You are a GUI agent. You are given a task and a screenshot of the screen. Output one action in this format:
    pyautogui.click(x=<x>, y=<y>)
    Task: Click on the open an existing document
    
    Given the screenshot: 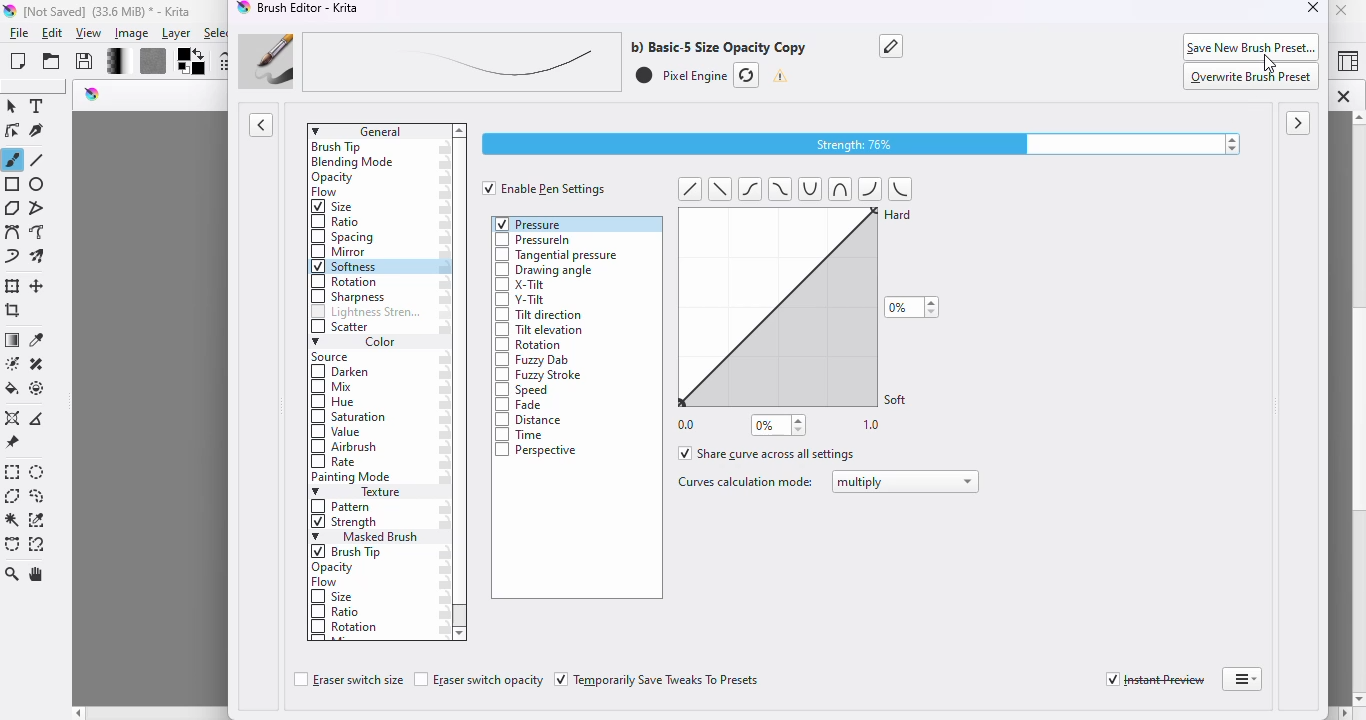 What is the action you would take?
    pyautogui.click(x=52, y=61)
    